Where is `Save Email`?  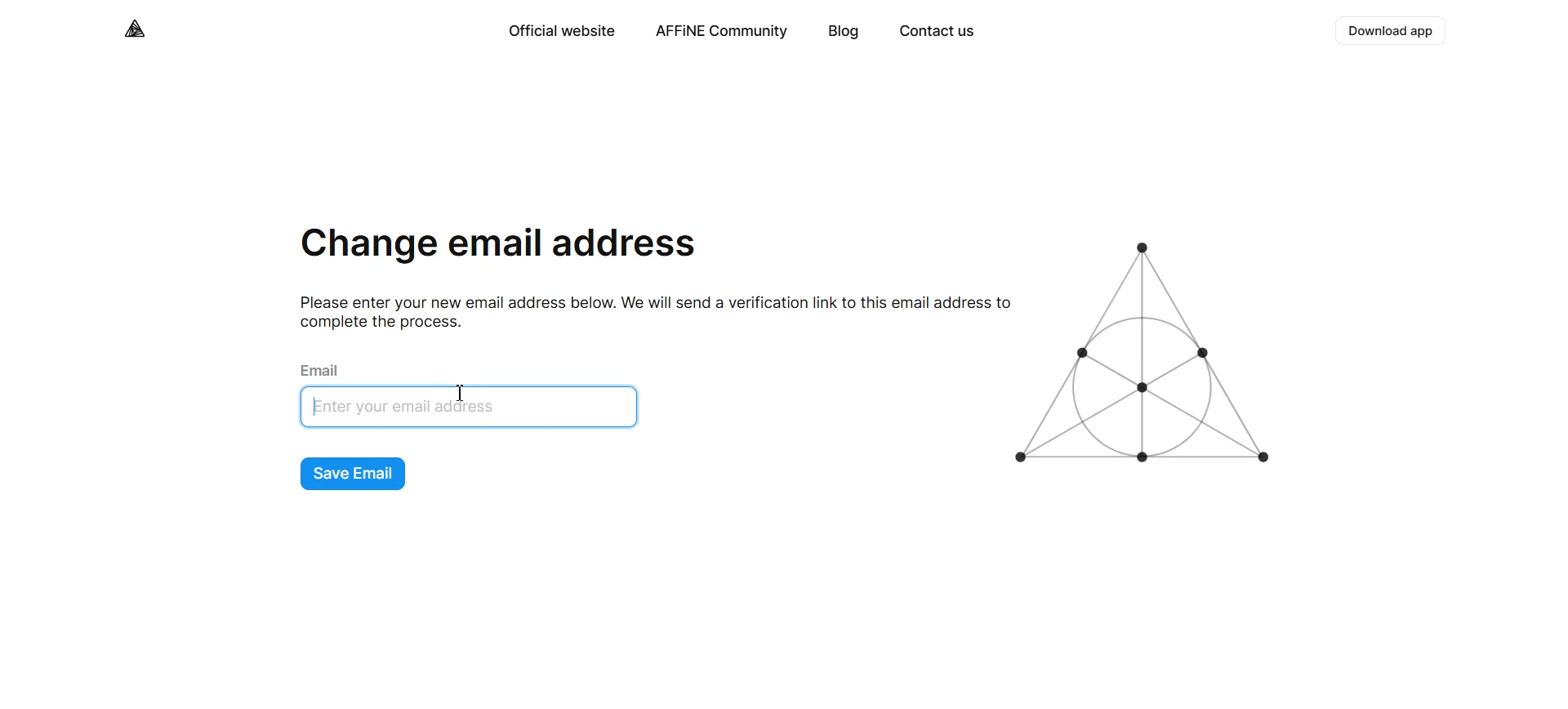
Save Email is located at coordinates (354, 475).